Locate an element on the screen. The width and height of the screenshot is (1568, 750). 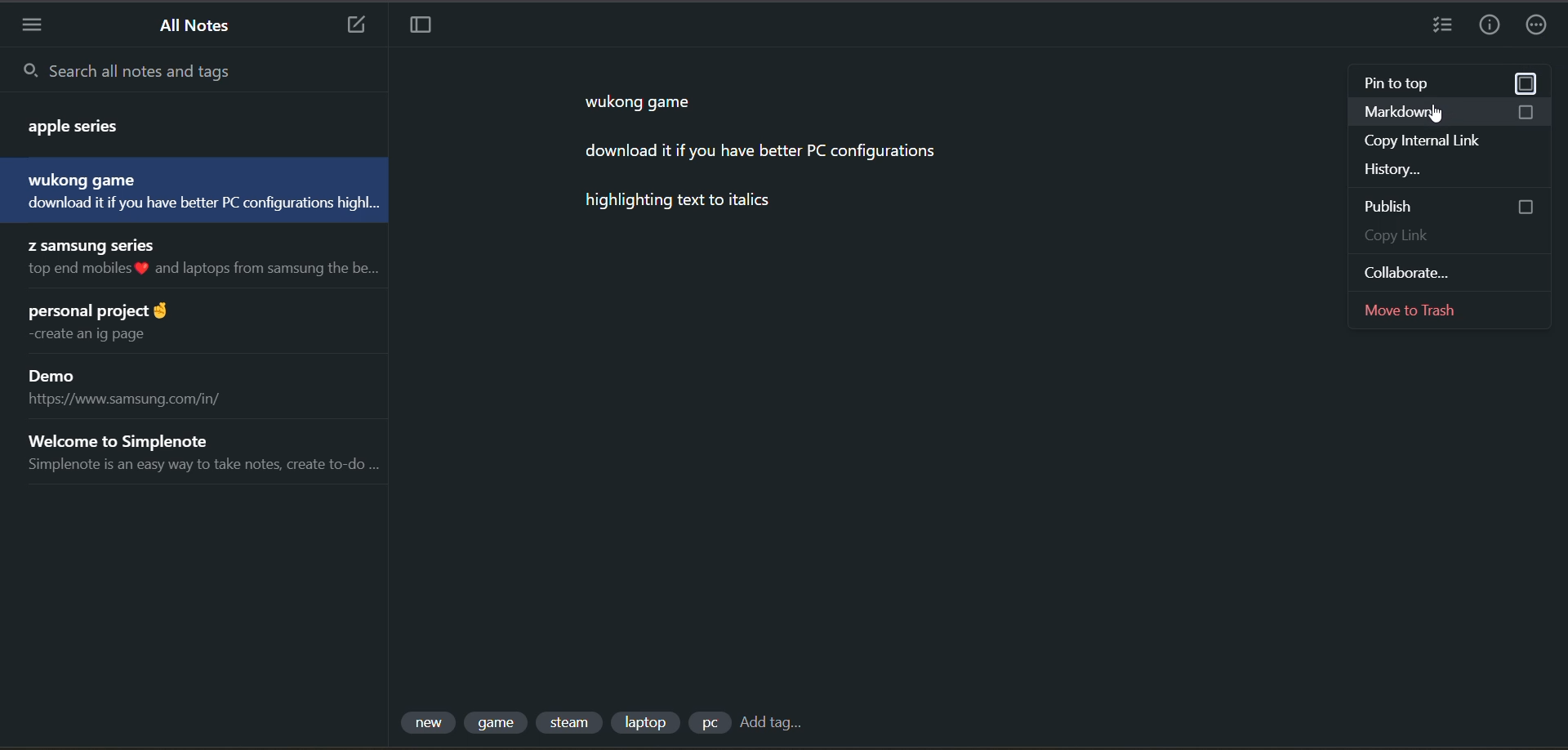
publish is located at coordinates (1450, 206).